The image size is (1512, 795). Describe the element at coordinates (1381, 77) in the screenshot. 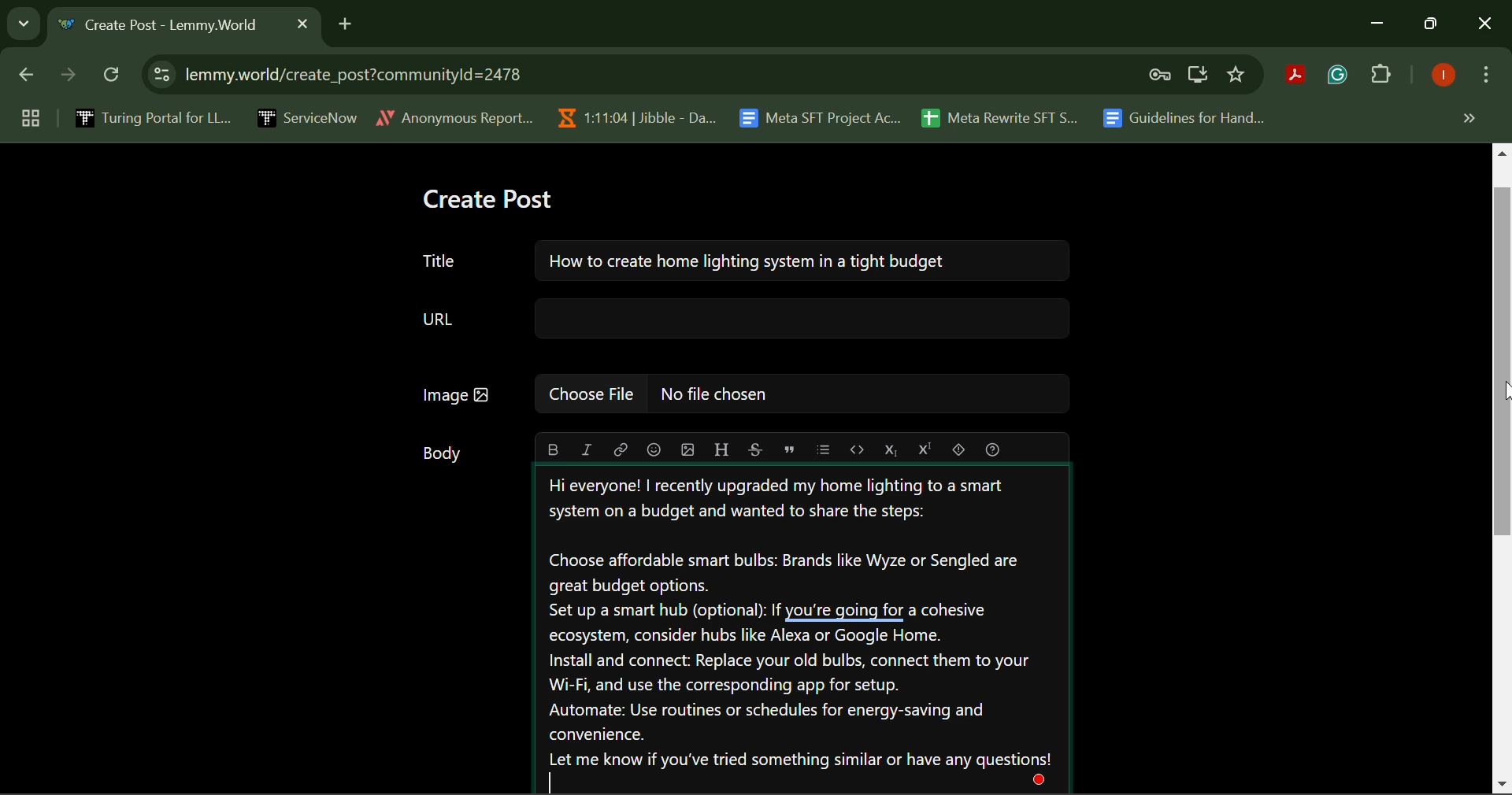

I see `Plugins` at that location.